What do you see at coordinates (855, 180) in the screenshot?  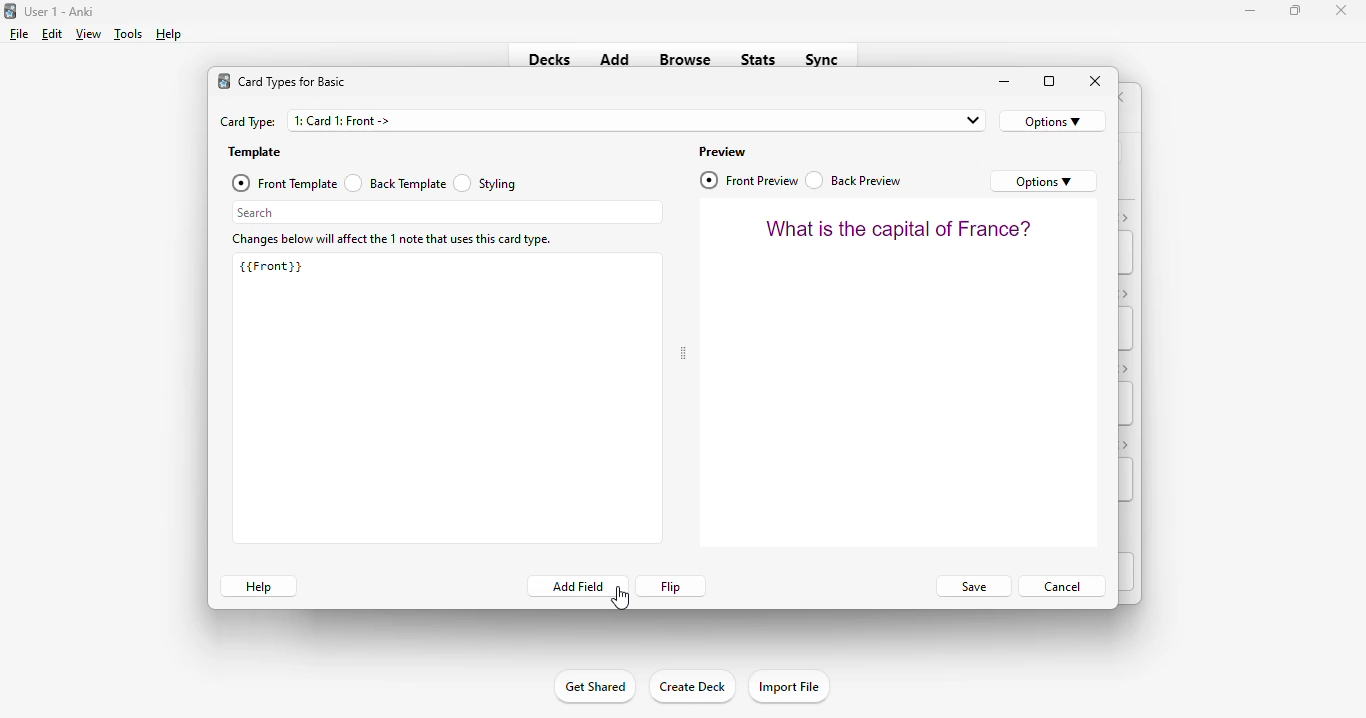 I see `back preview` at bounding box center [855, 180].